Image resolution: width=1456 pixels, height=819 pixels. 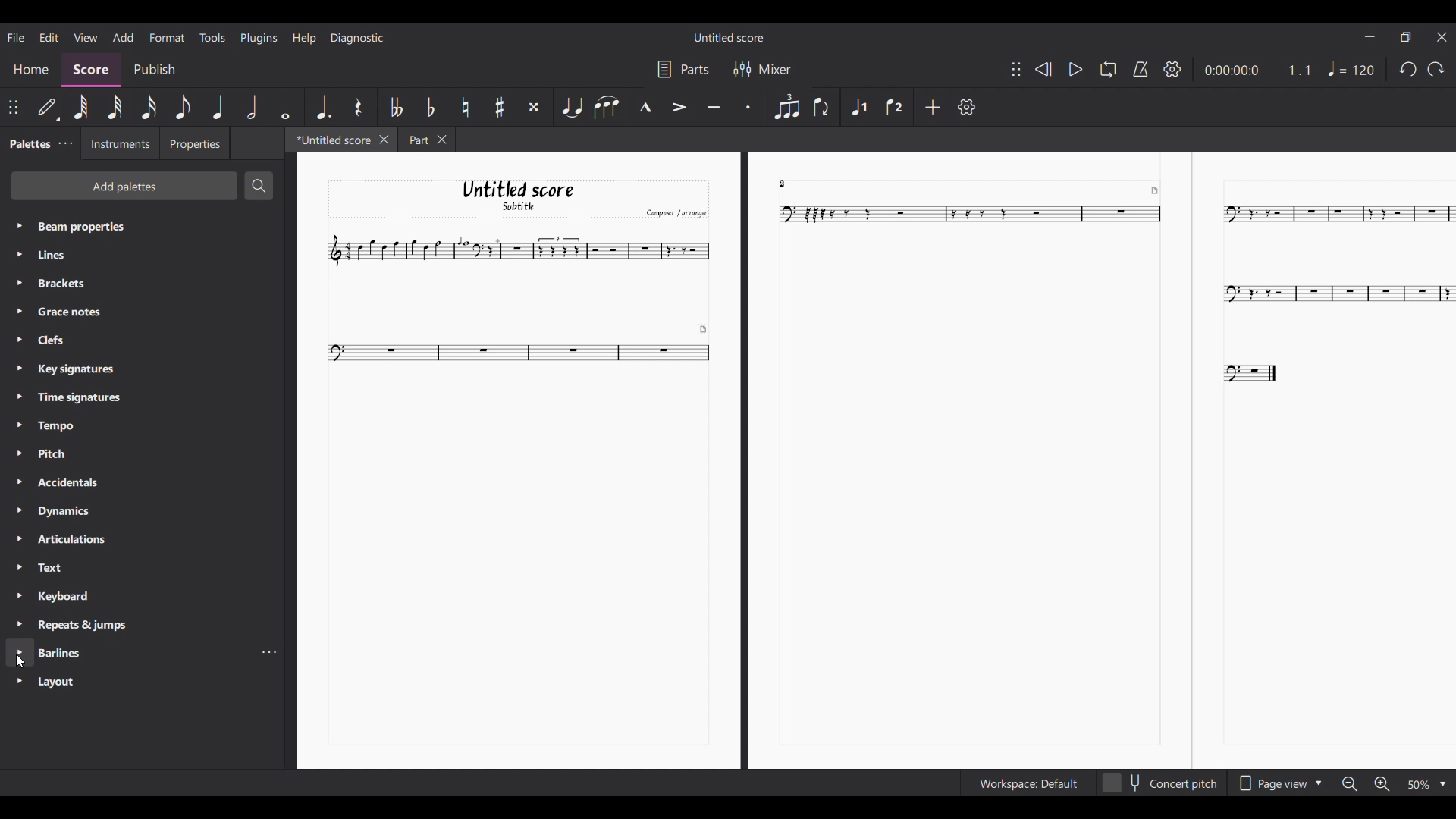 What do you see at coordinates (29, 143) in the screenshot?
I see `Current tab, palette` at bounding box center [29, 143].